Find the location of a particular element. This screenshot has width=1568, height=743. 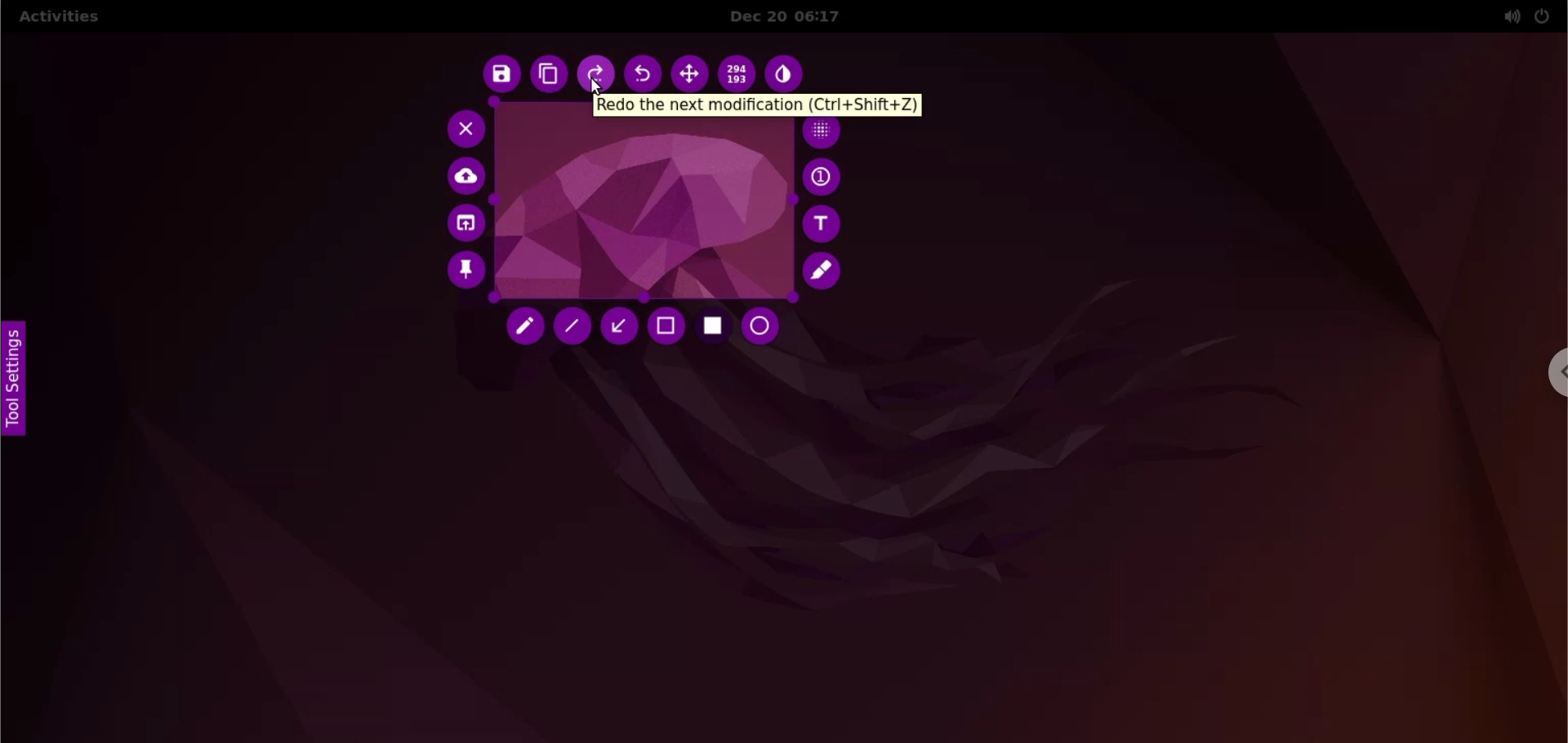

activities is located at coordinates (58, 19).